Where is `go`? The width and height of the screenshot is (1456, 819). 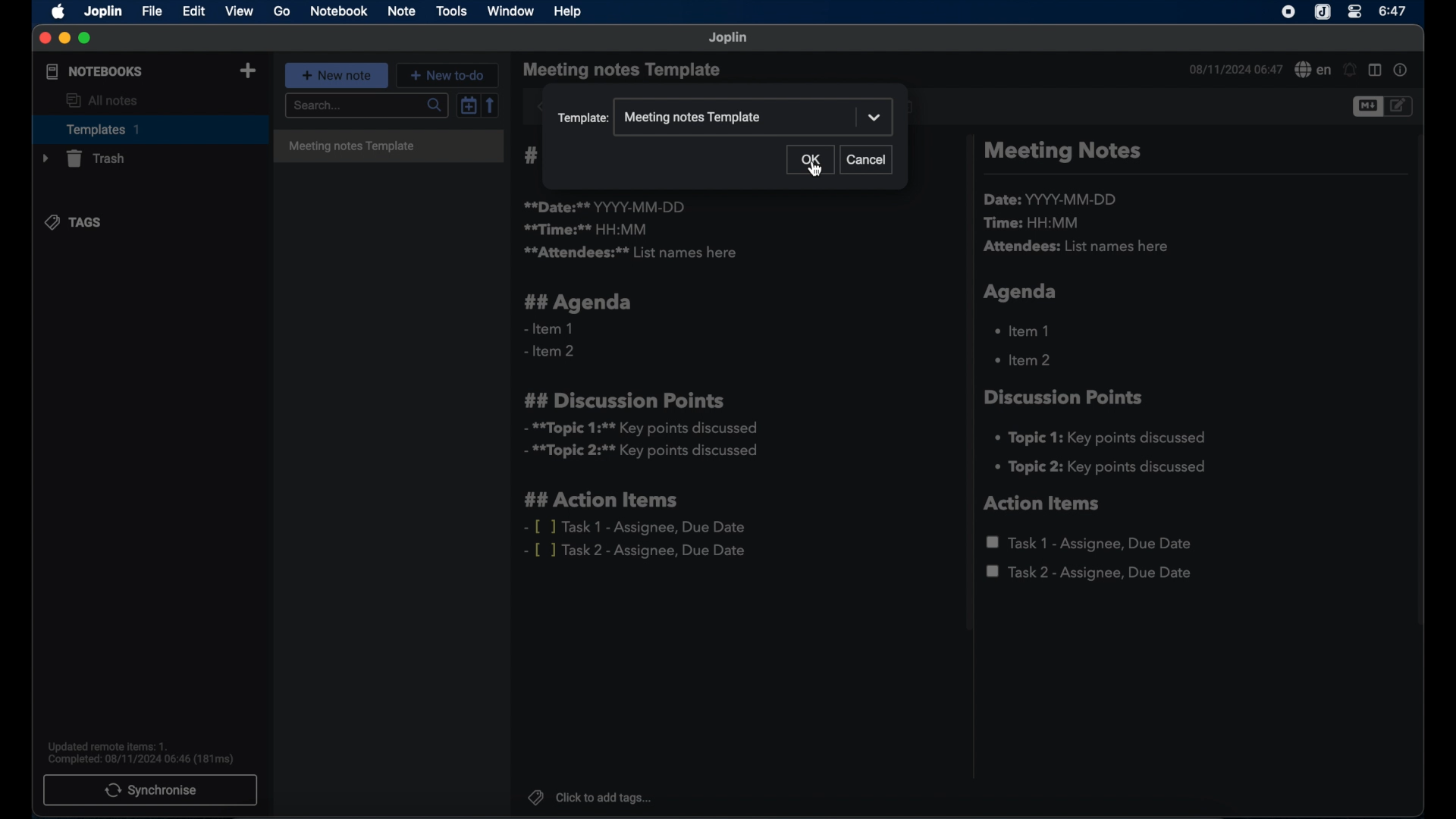 go is located at coordinates (282, 11).